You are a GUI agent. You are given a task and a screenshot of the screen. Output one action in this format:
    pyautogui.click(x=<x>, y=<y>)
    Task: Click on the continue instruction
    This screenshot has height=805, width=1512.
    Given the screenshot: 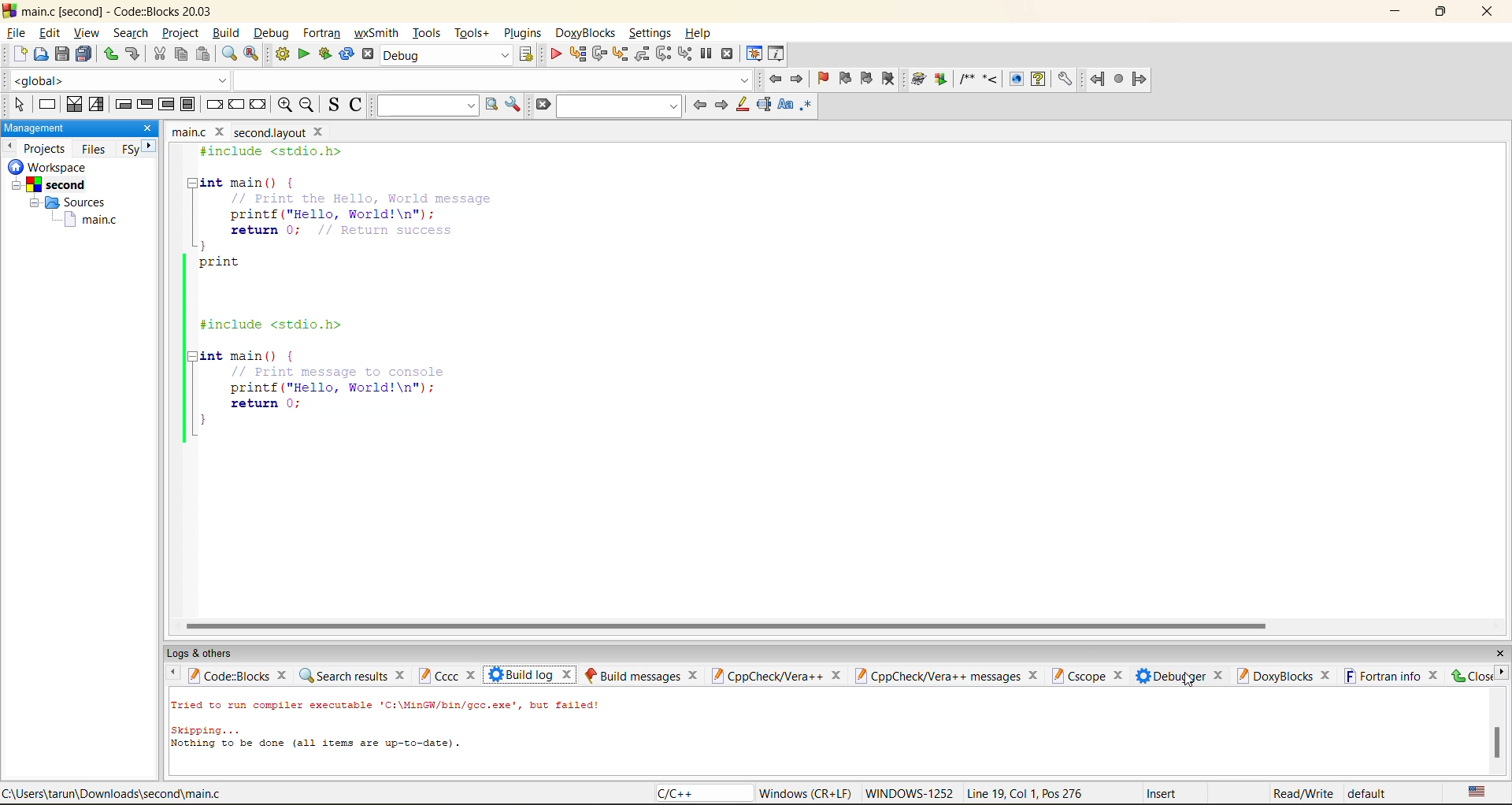 What is the action you would take?
    pyautogui.click(x=236, y=103)
    